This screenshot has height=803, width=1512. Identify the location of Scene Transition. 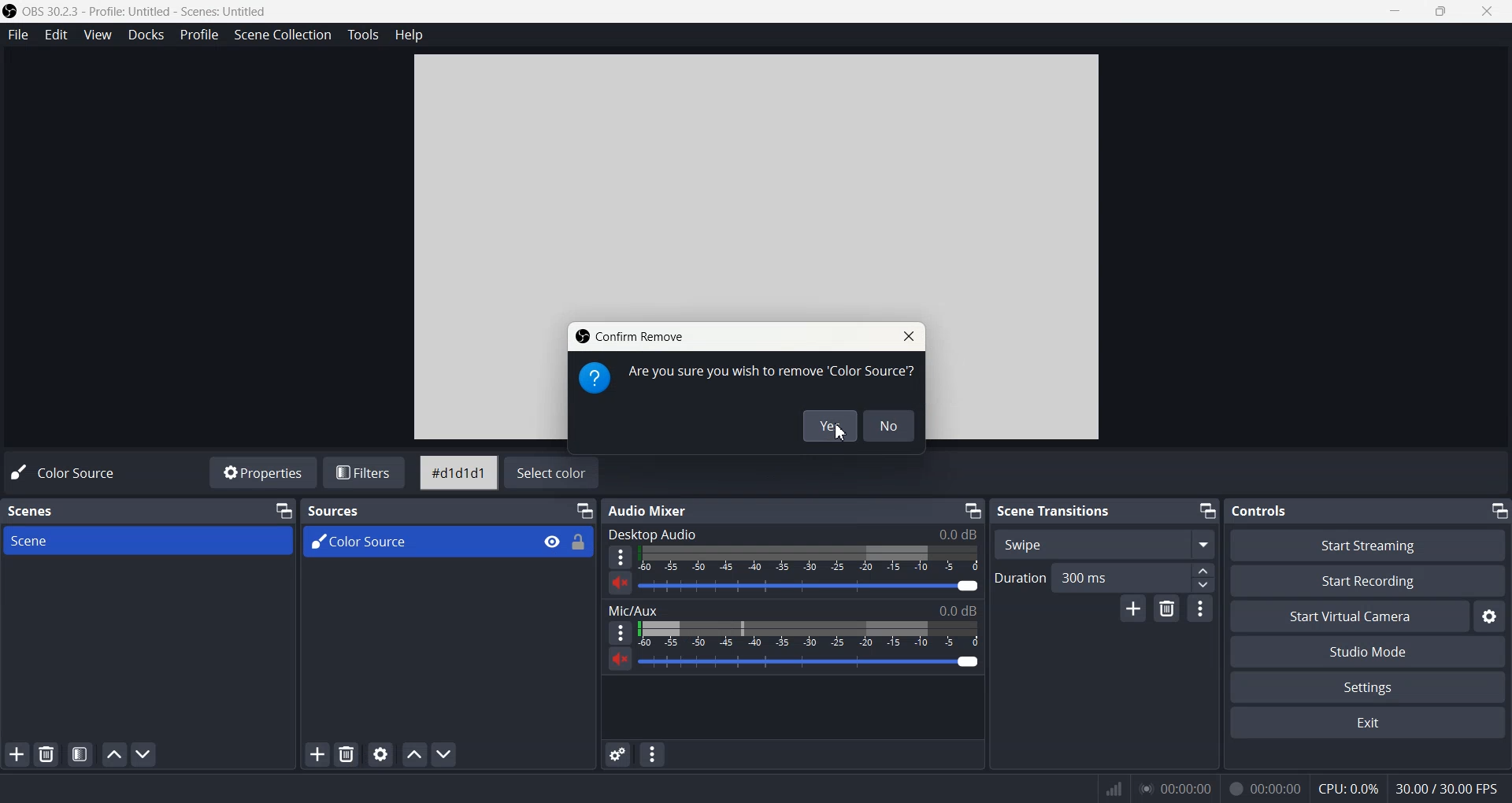
(1054, 510).